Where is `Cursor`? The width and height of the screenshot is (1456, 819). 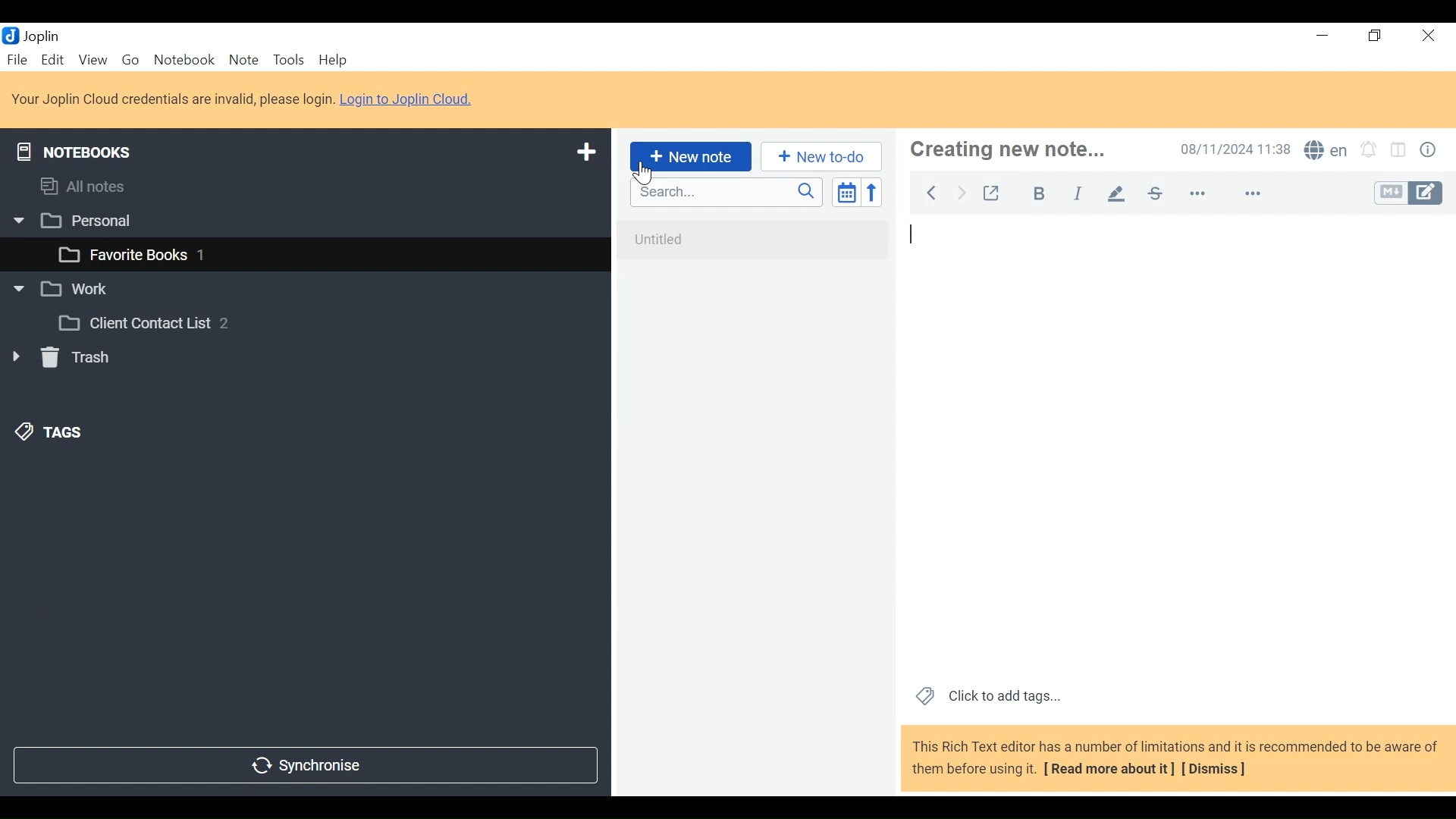 Cursor is located at coordinates (639, 173).